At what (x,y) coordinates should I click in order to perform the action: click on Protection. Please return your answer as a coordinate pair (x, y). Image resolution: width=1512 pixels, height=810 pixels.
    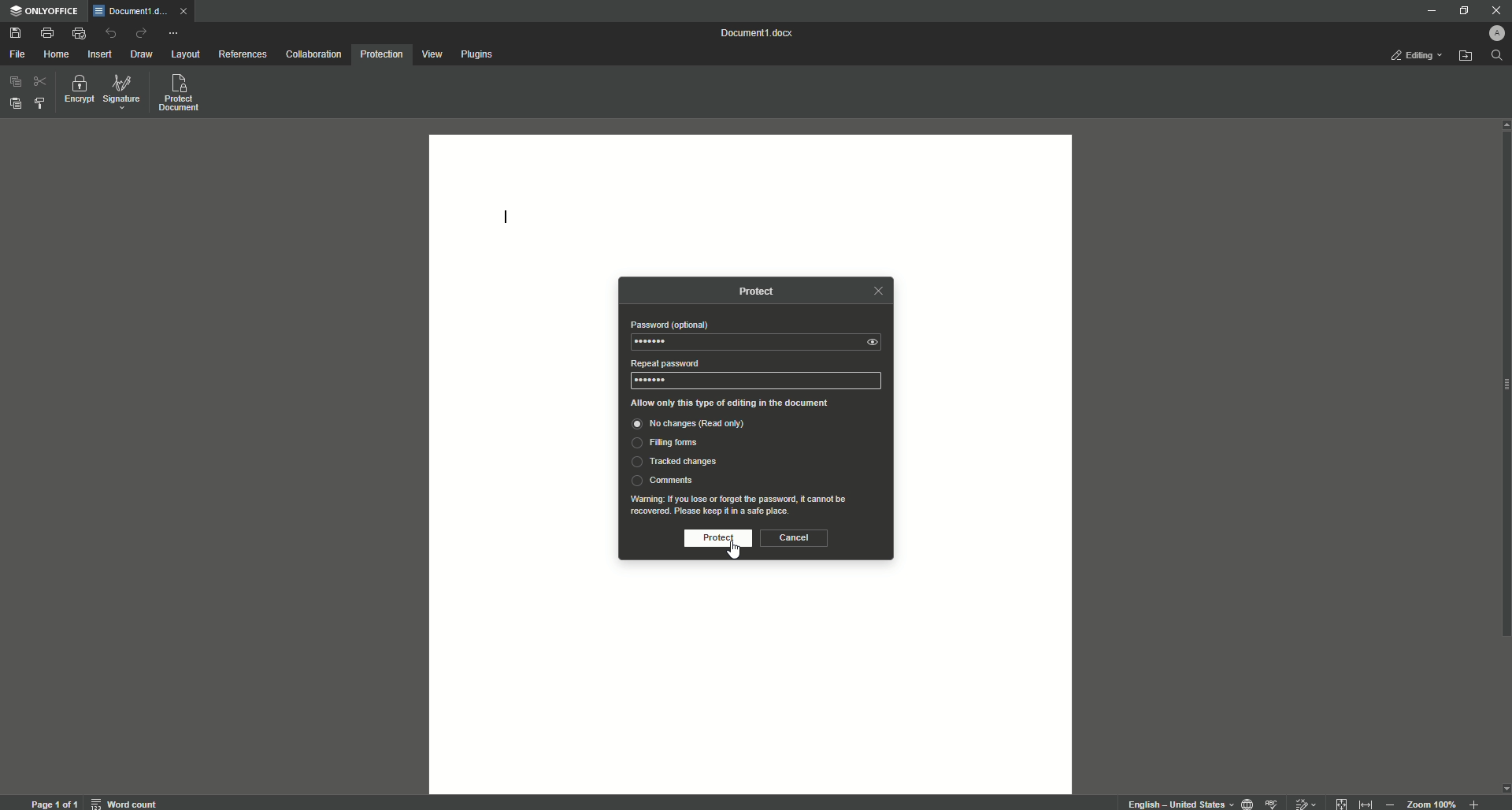
    Looking at the image, I should click on (381, 56).